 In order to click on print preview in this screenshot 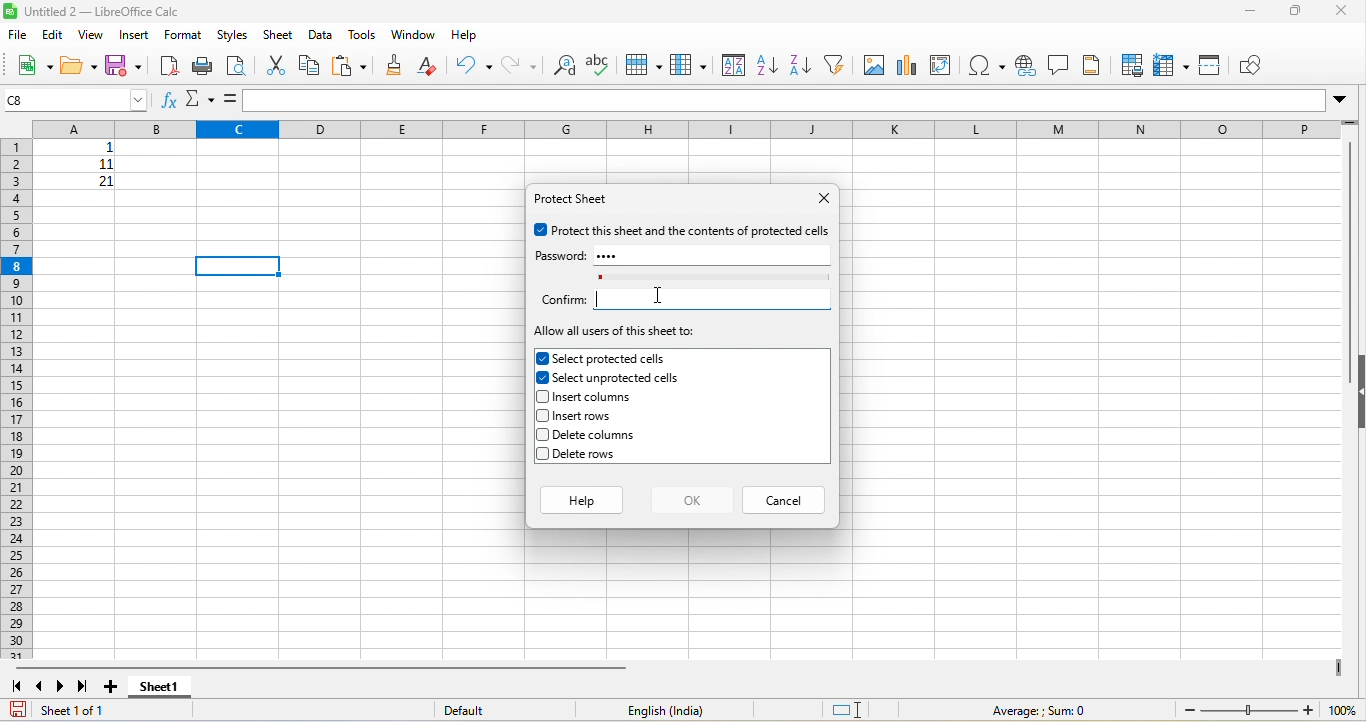, I will do `click(236, 65)`.